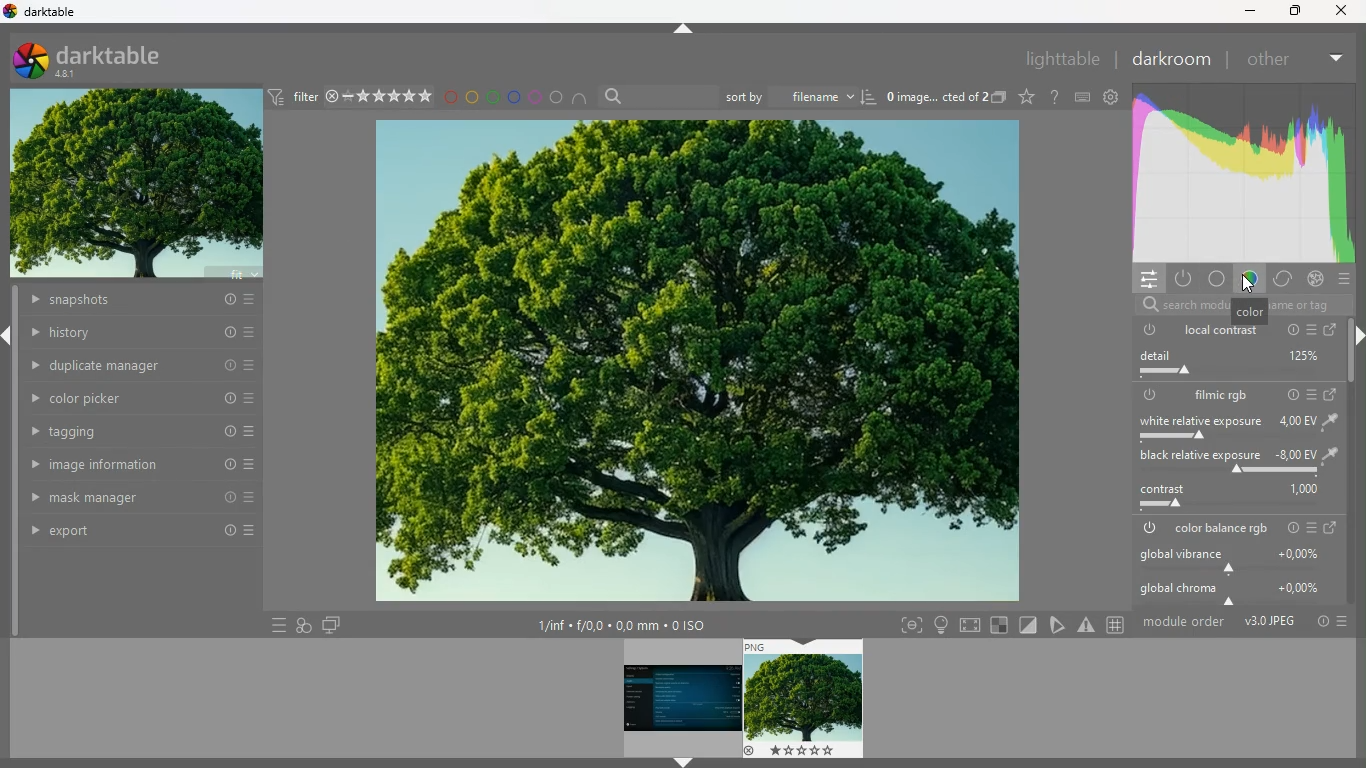 This screenshot has width=1366, height=768. What do you see at coordinates (9, 337) in the screenshot?
I see `arrow` at bounding box center [9, 337].